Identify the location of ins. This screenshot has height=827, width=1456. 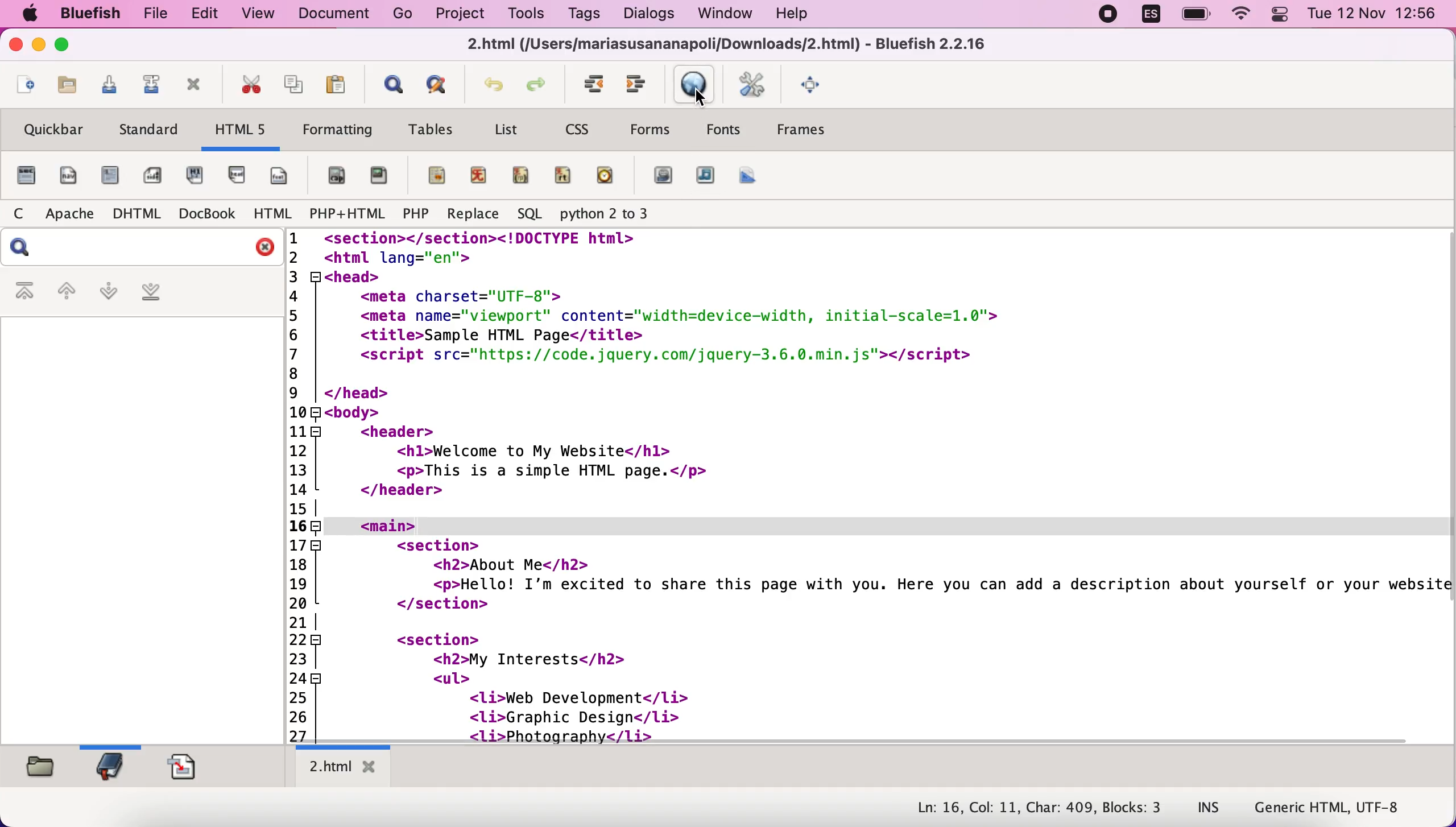
(1199, 808).